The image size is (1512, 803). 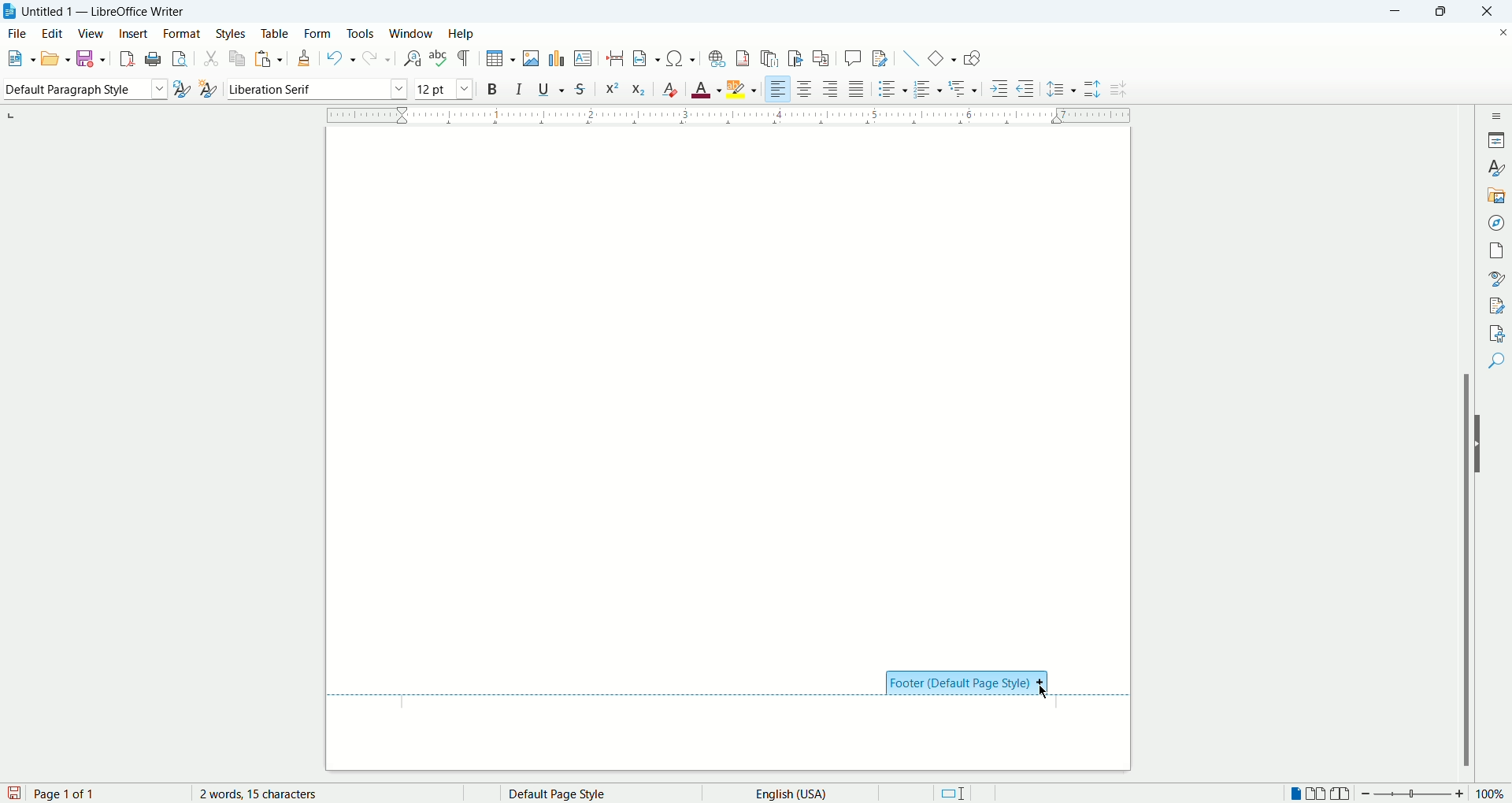 What do you see at coordinates (107, 11) in the screenshot?
I see `Untitled 1 - LibreOffice Writer` at bounding box center [107, 11].